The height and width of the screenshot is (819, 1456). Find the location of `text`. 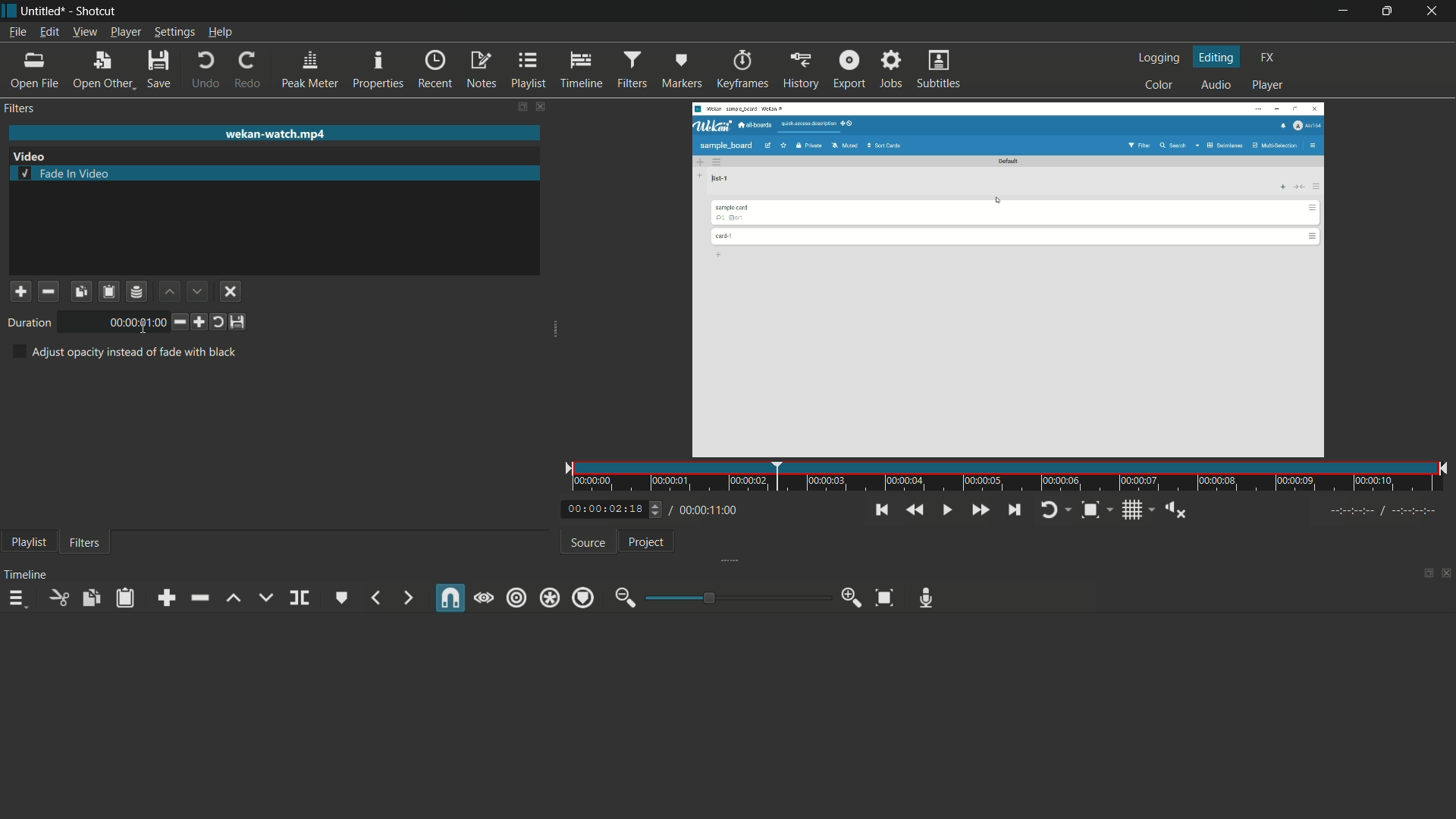

text is located at coordinates (124, 352).